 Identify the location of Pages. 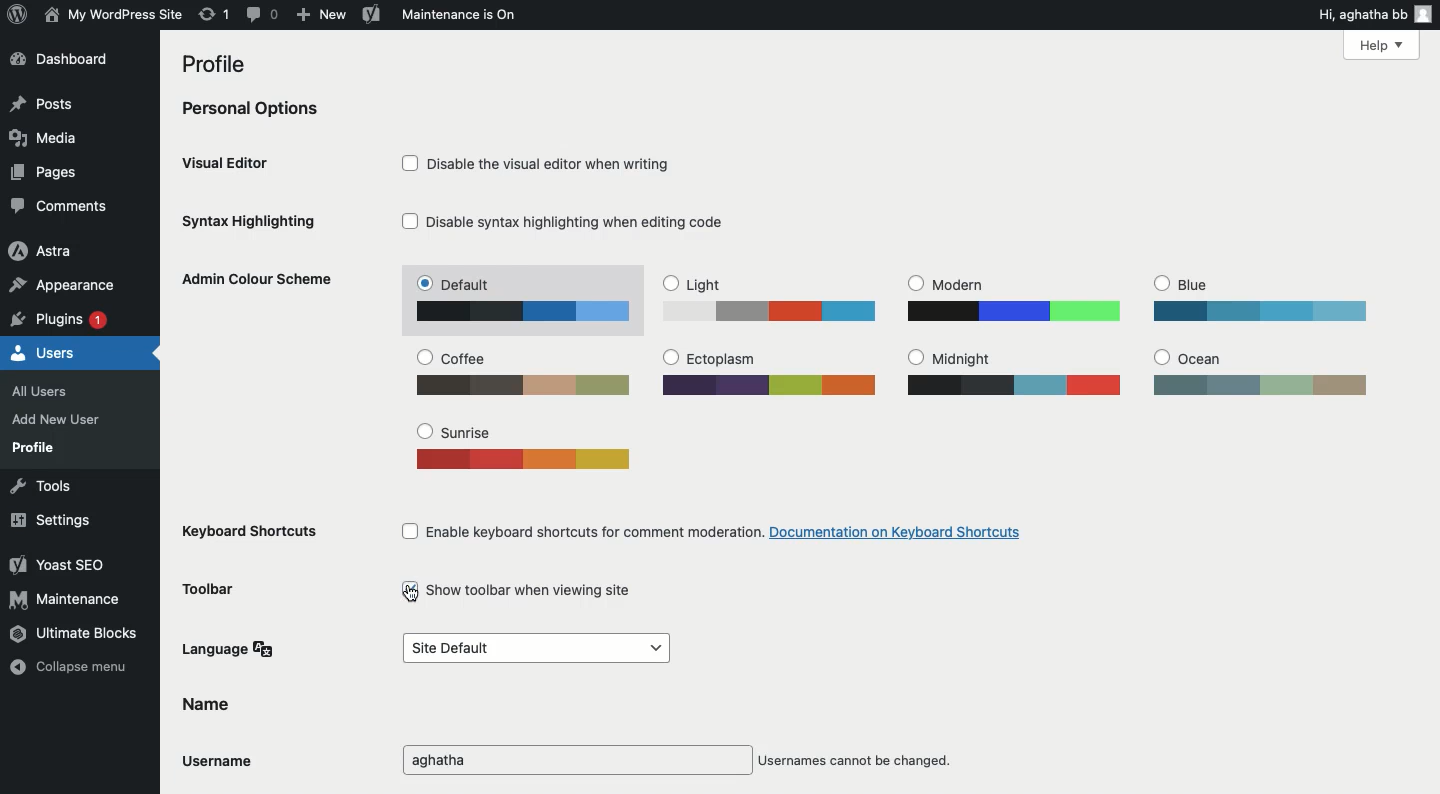
(45, 170).